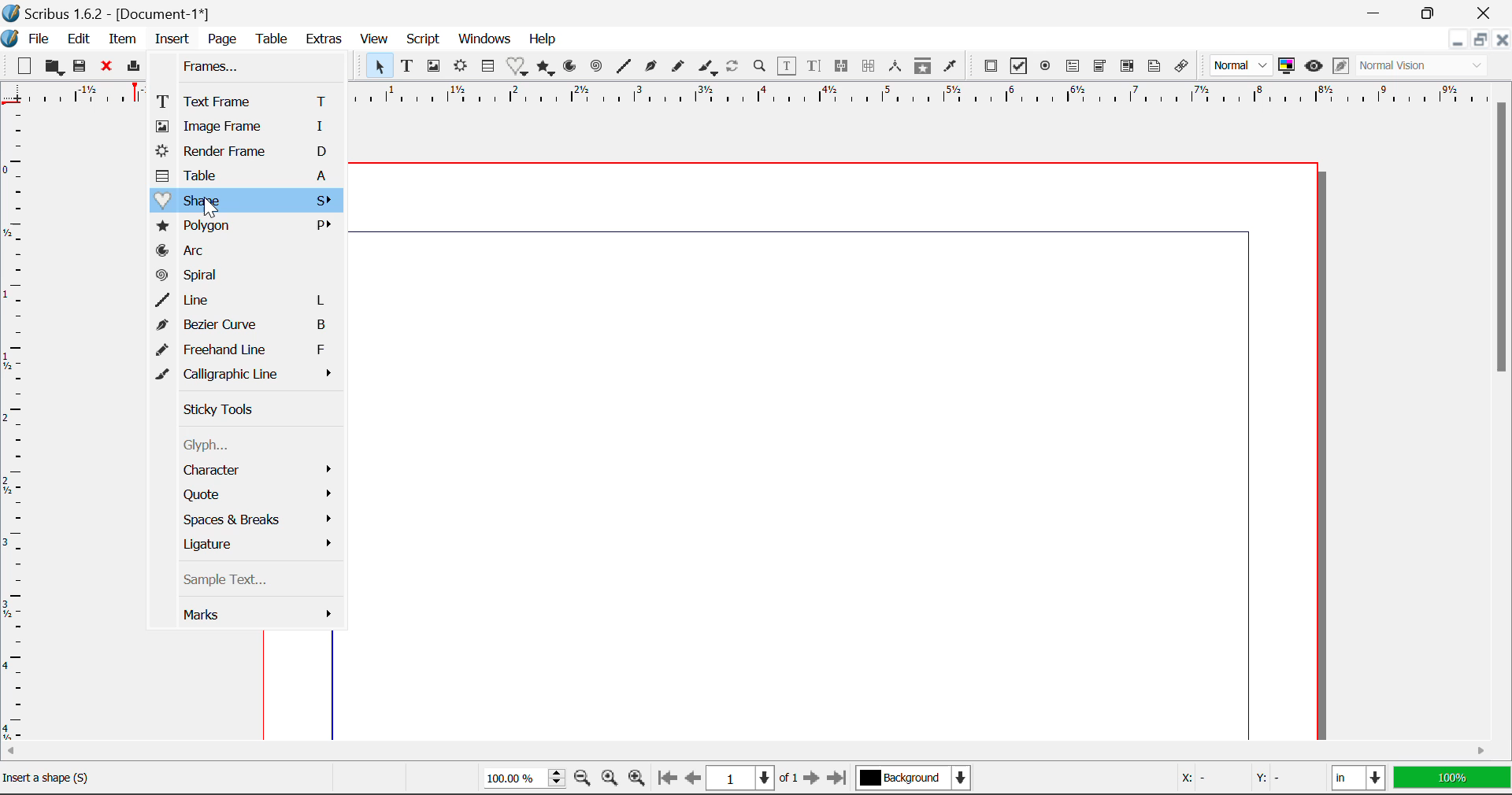  What do you see at coordinates (123, 40) in the screenshot?
I see `Item` at bounding box center [123, 40].